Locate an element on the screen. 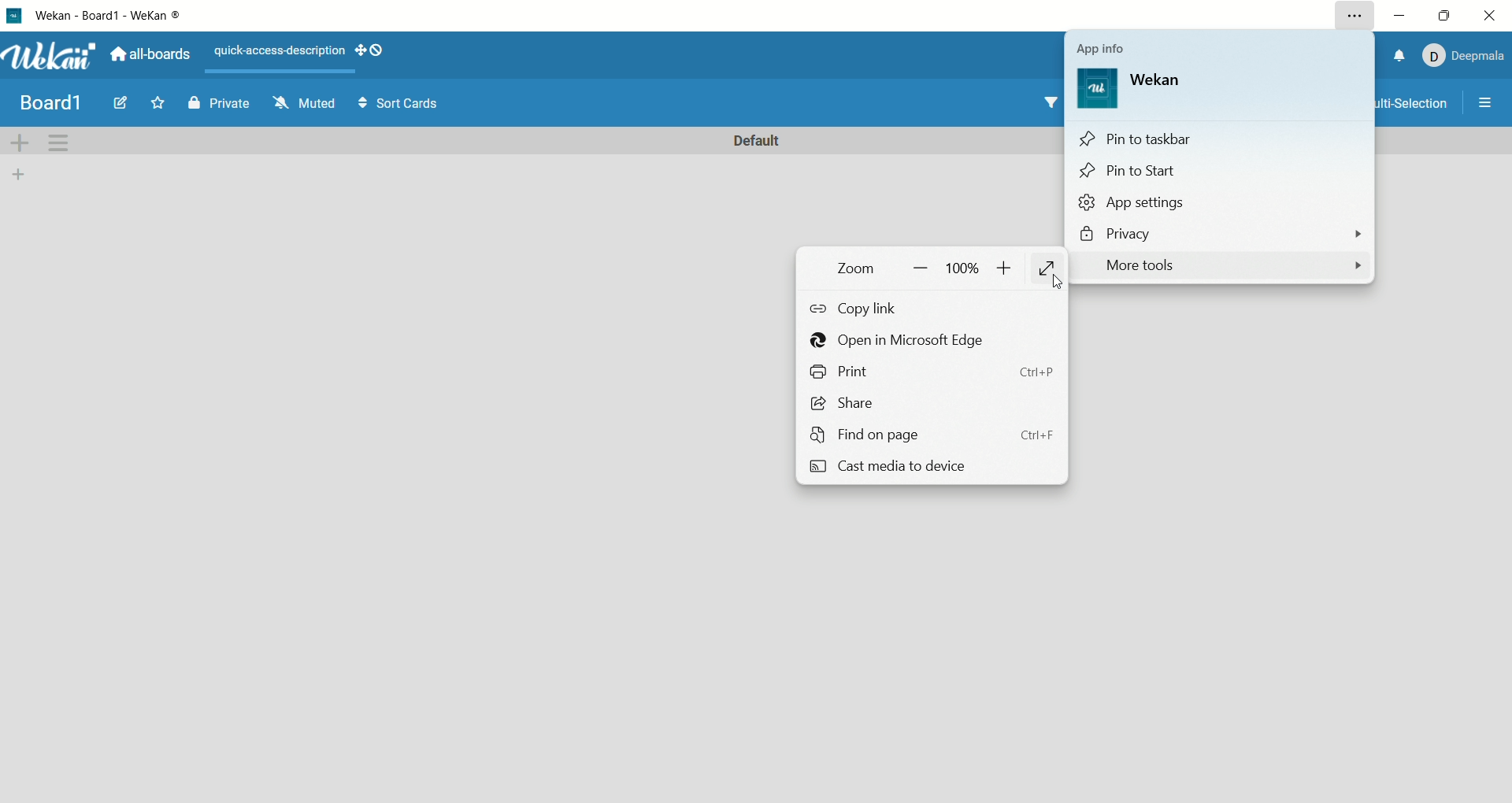  print is located at coordinates (933, 372).